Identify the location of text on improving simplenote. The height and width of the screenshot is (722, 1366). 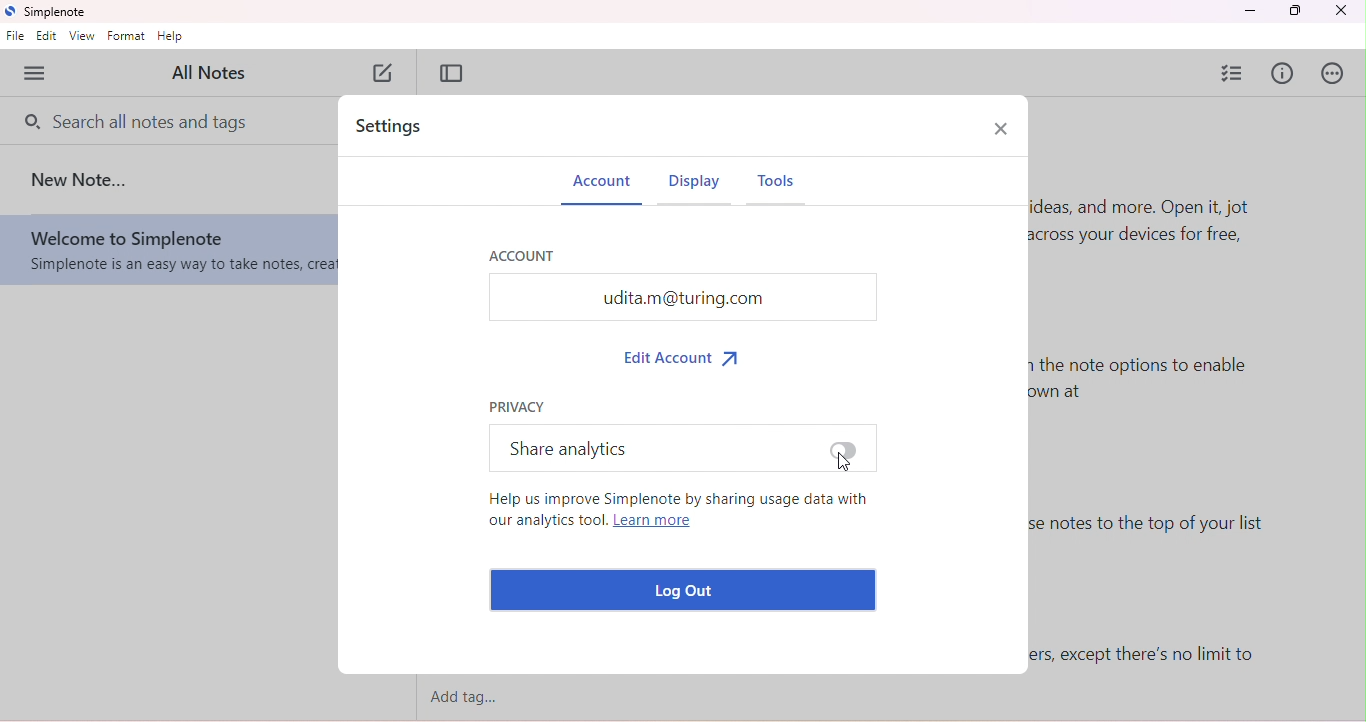
(677, 514).